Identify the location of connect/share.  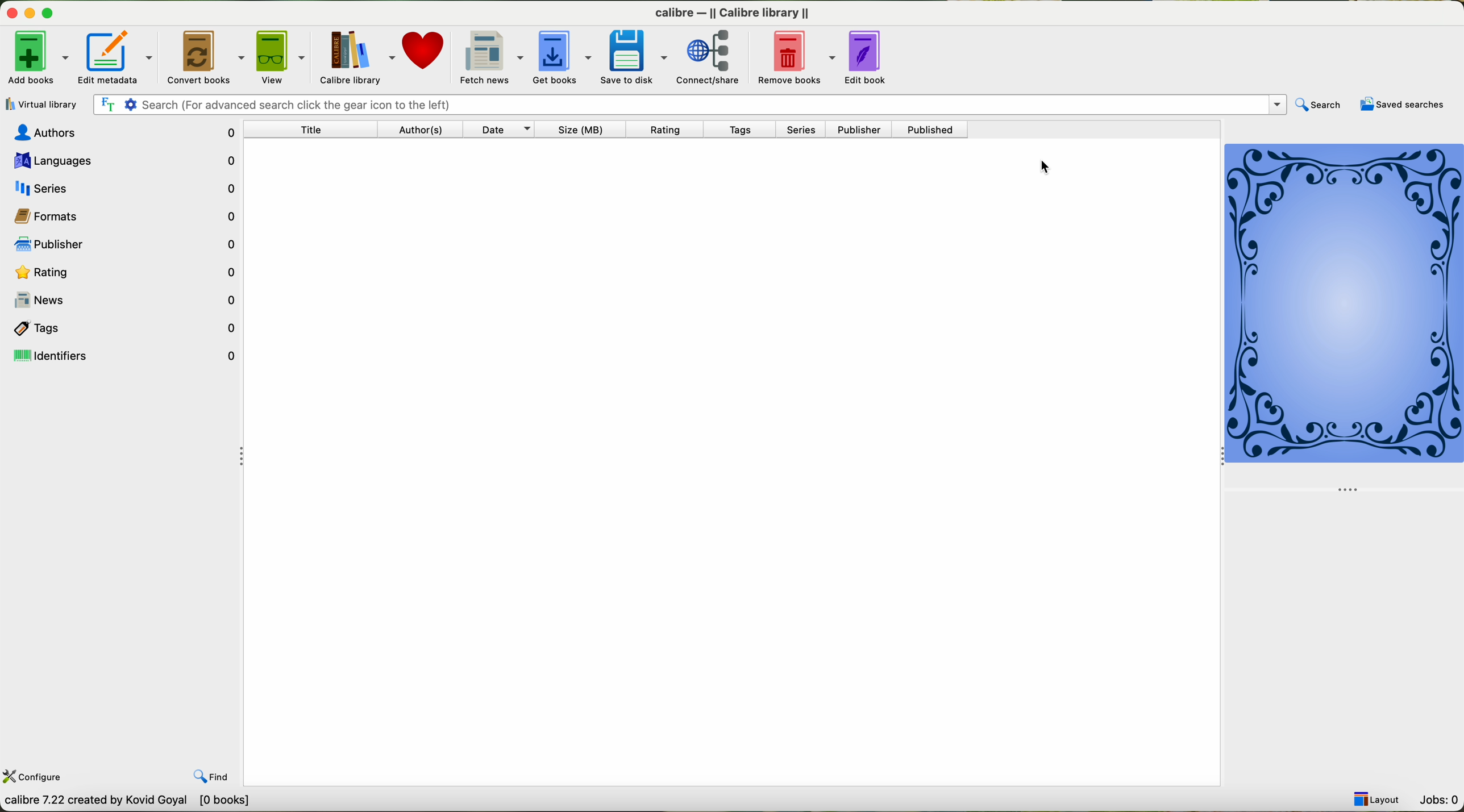
(713, 57).